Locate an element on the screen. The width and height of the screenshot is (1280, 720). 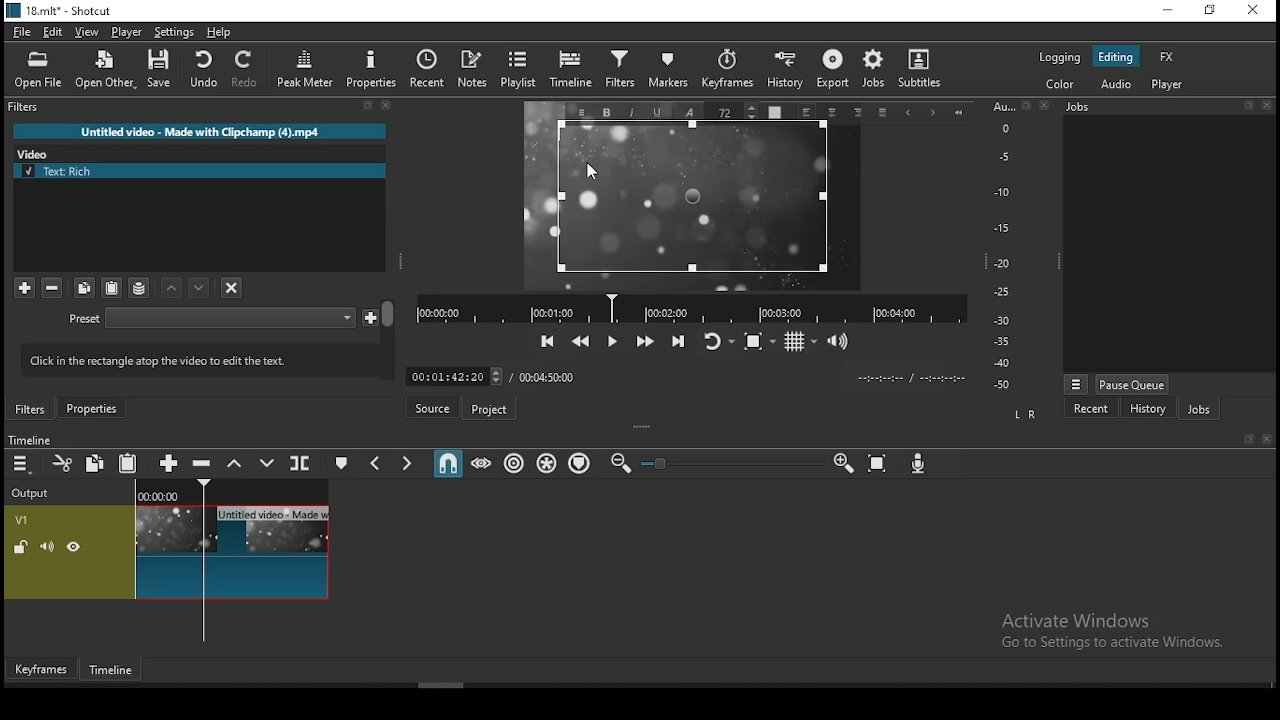
video track is located at coordinates (167, 552).